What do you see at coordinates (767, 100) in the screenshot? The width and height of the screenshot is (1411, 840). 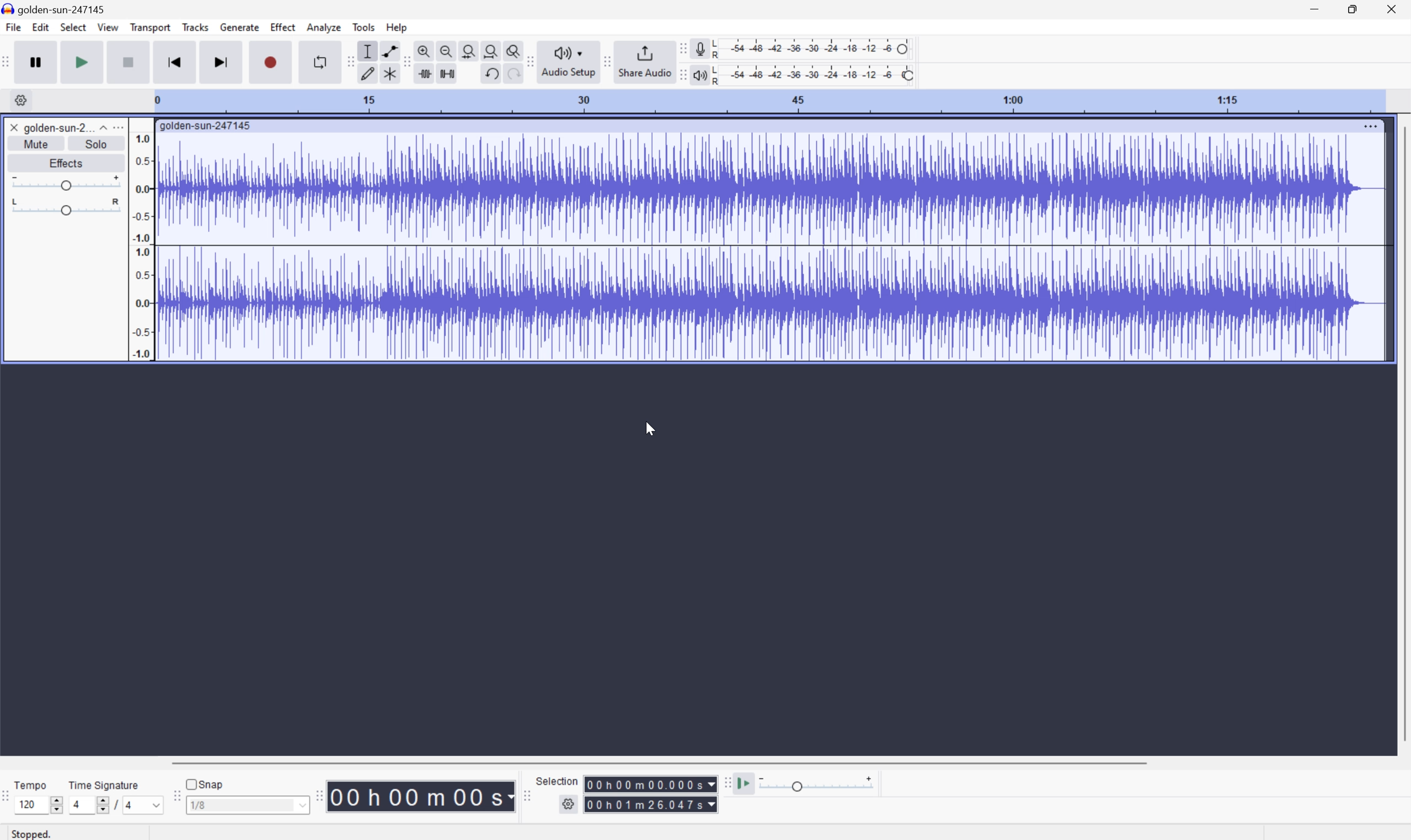 I see `Scale` at bounding box center [767, 100].